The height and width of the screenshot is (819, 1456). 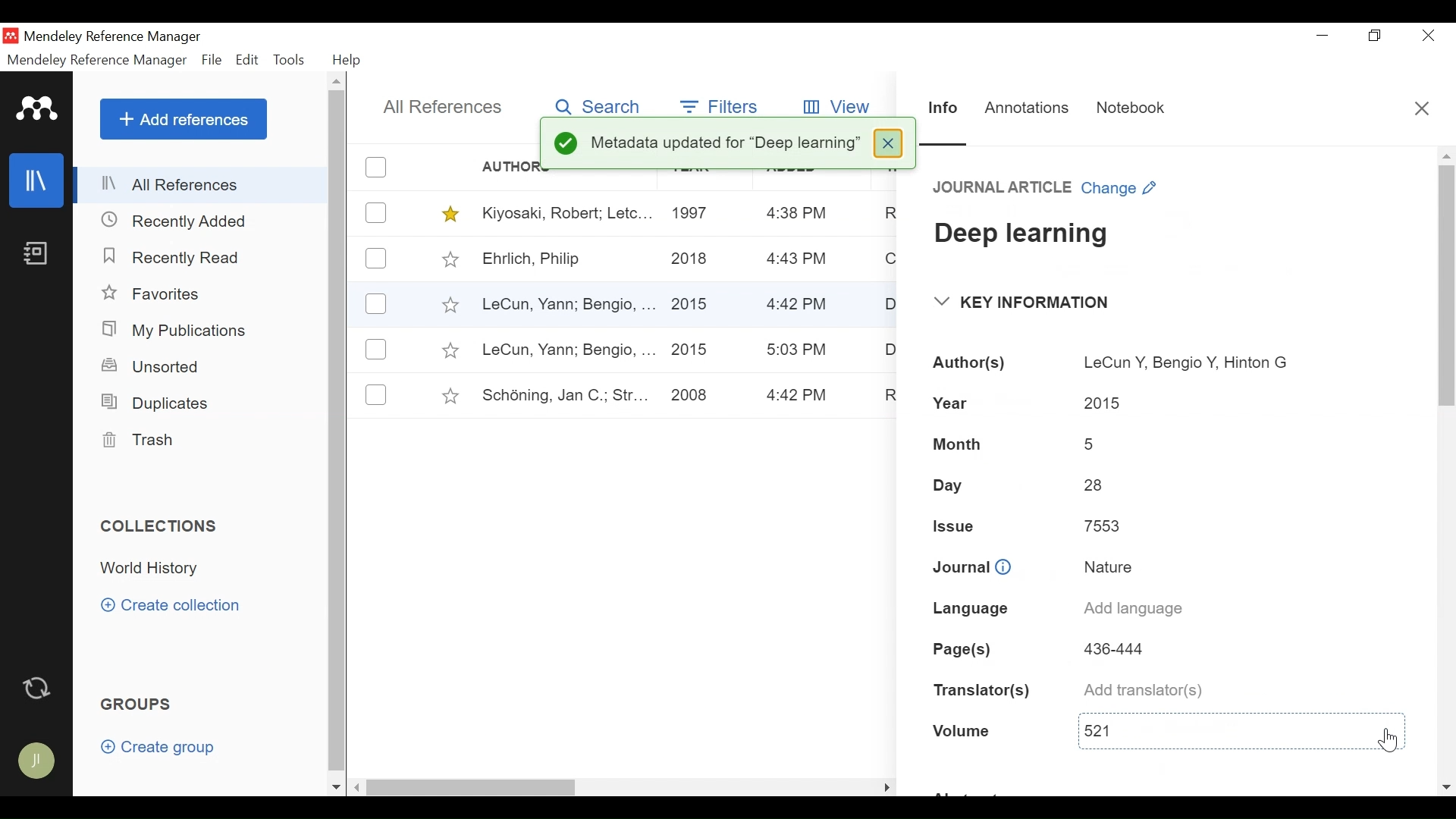 I want to click on Notebook, so click(x=35, y=255).